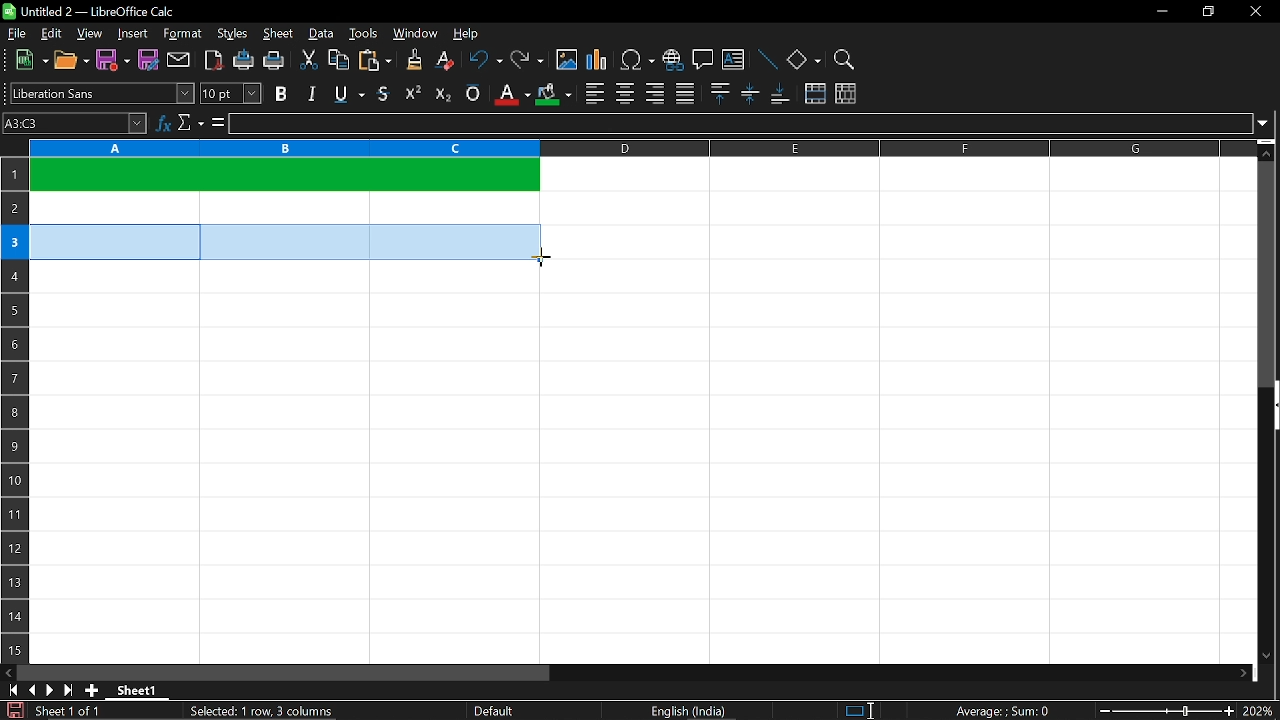  Describe the element at coordinates (278, 34) in the screenshot. I see `sheet` at that location.